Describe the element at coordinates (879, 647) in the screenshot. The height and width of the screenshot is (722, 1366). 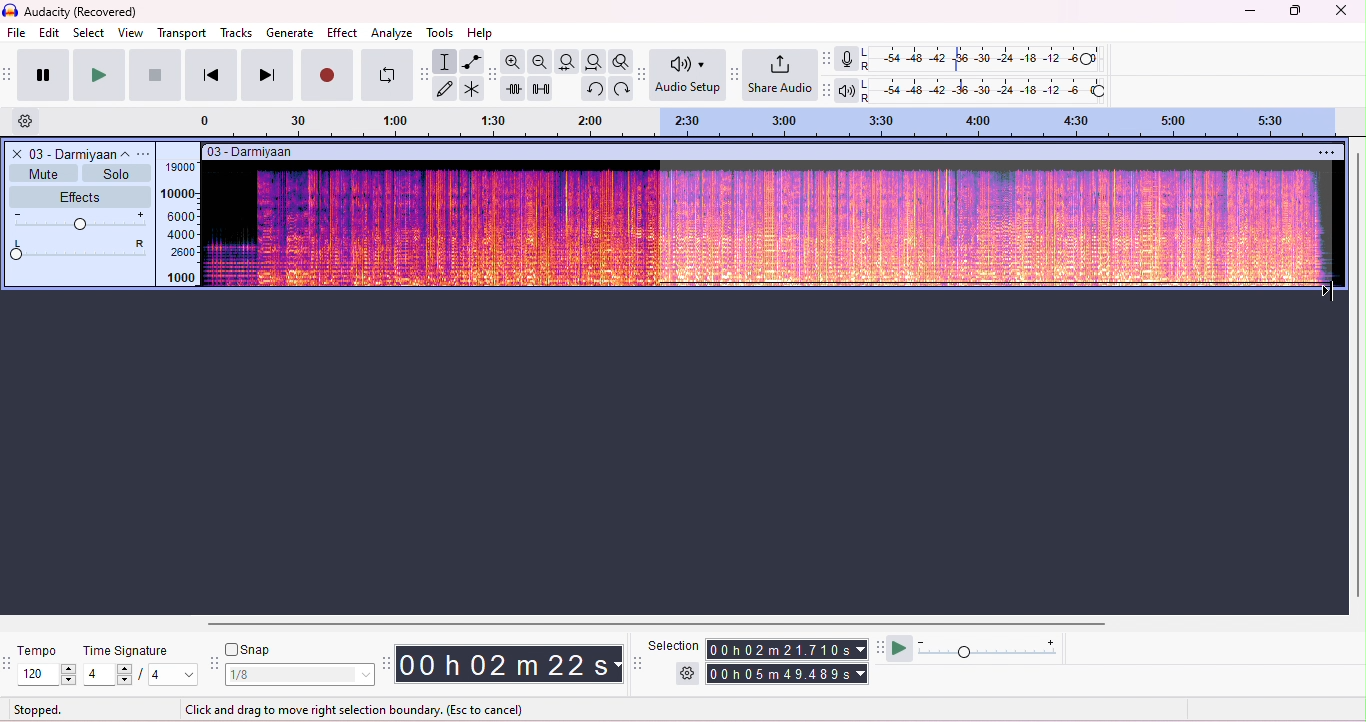
I see `play at speed tool bar` at that location.